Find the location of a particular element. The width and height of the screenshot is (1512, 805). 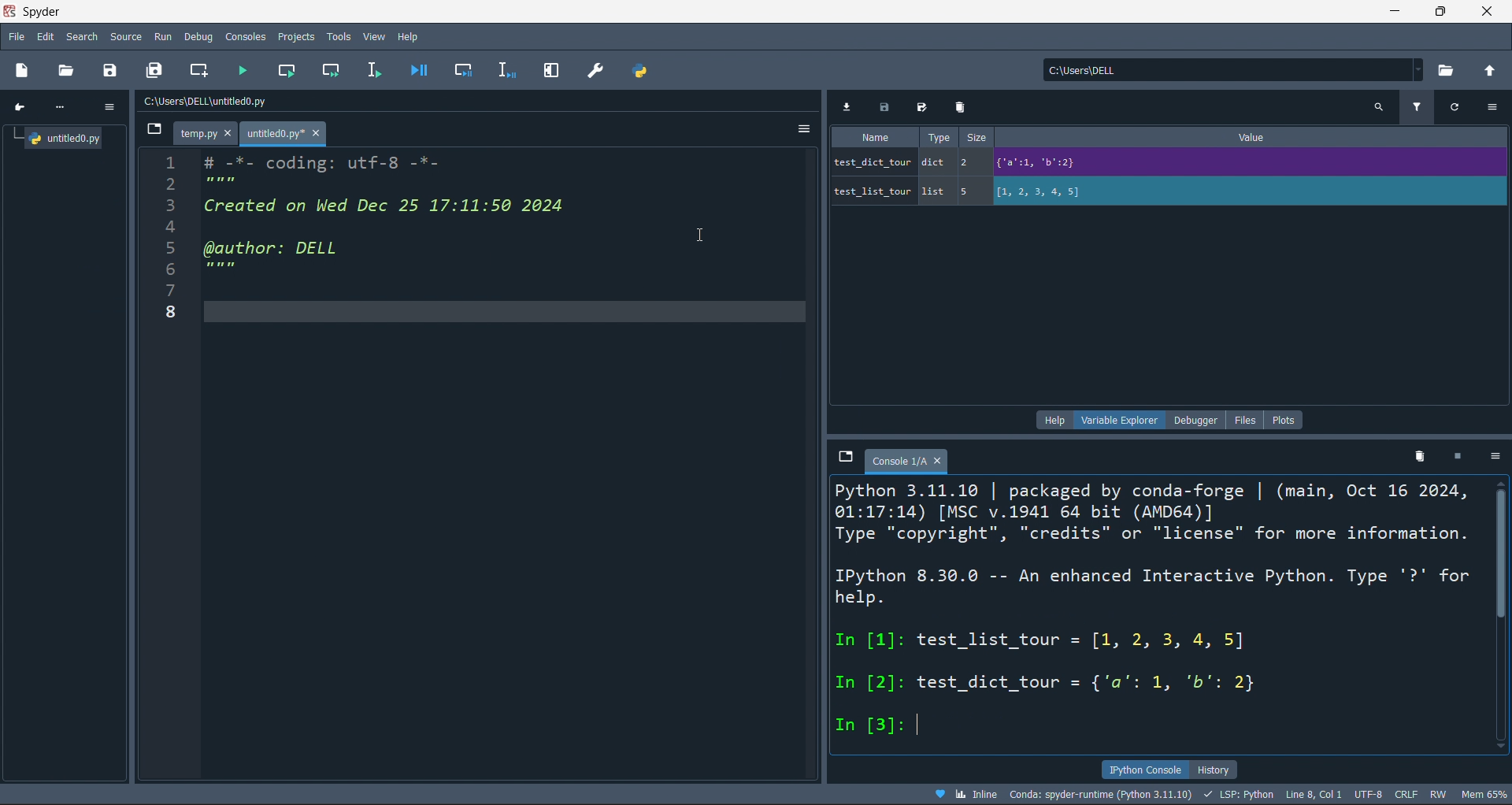

plots is located at coordinates (1288, 419).